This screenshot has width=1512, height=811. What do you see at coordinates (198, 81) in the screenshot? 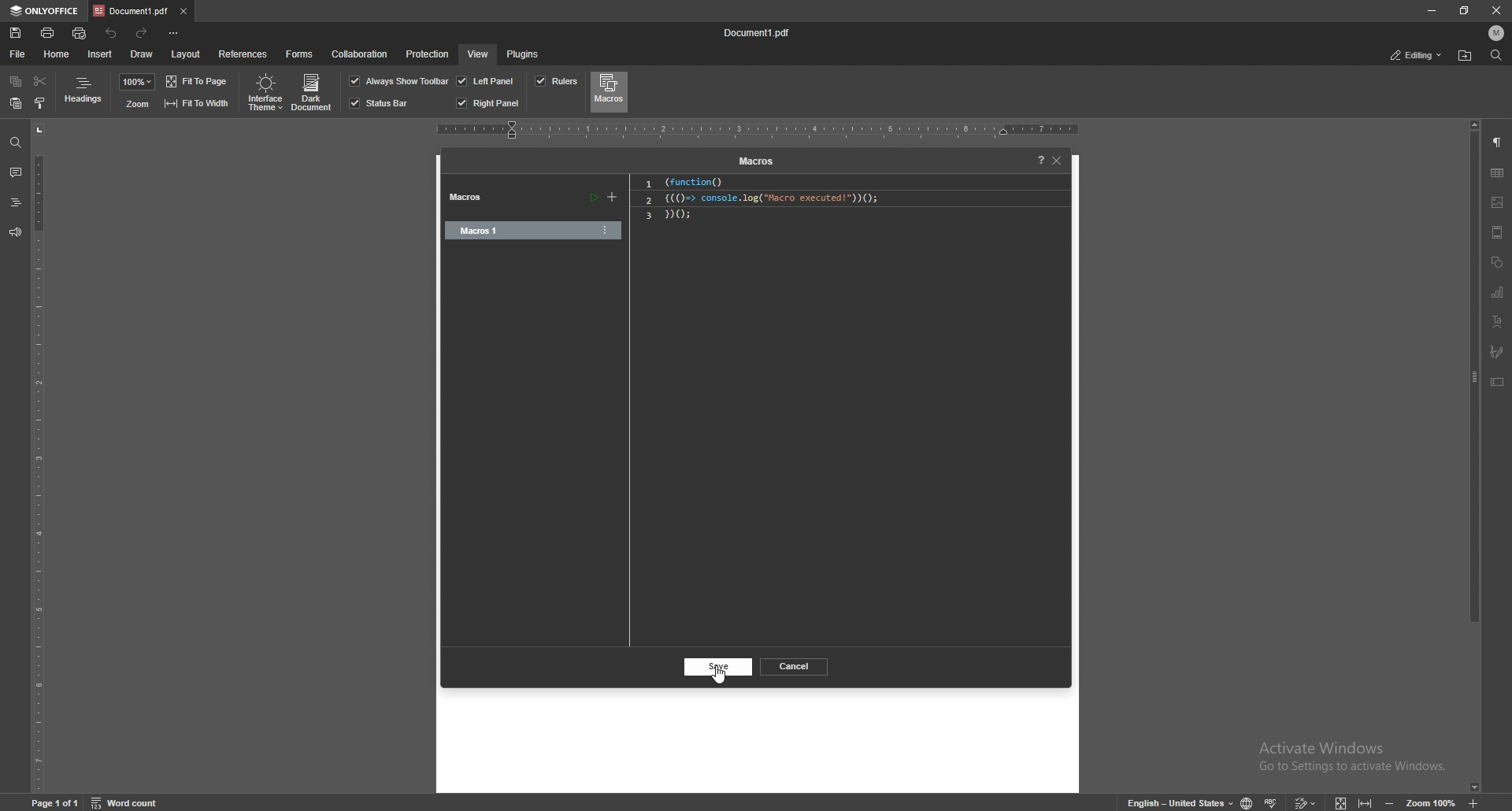
I see `fit to page` at bounding box center [198, 81].